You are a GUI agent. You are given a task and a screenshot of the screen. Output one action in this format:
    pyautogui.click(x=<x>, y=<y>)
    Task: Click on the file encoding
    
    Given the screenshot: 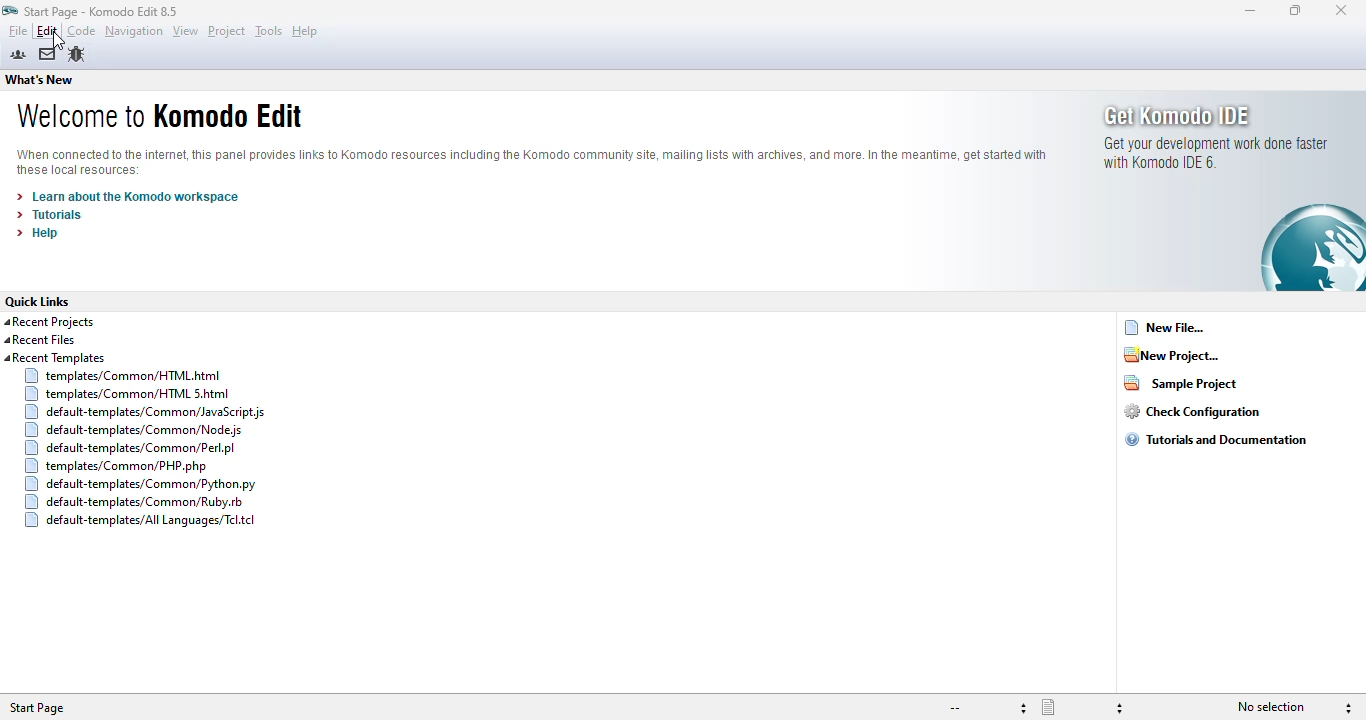 What is the action you would take?
    pyautogui.click(x=987, y=708)
    